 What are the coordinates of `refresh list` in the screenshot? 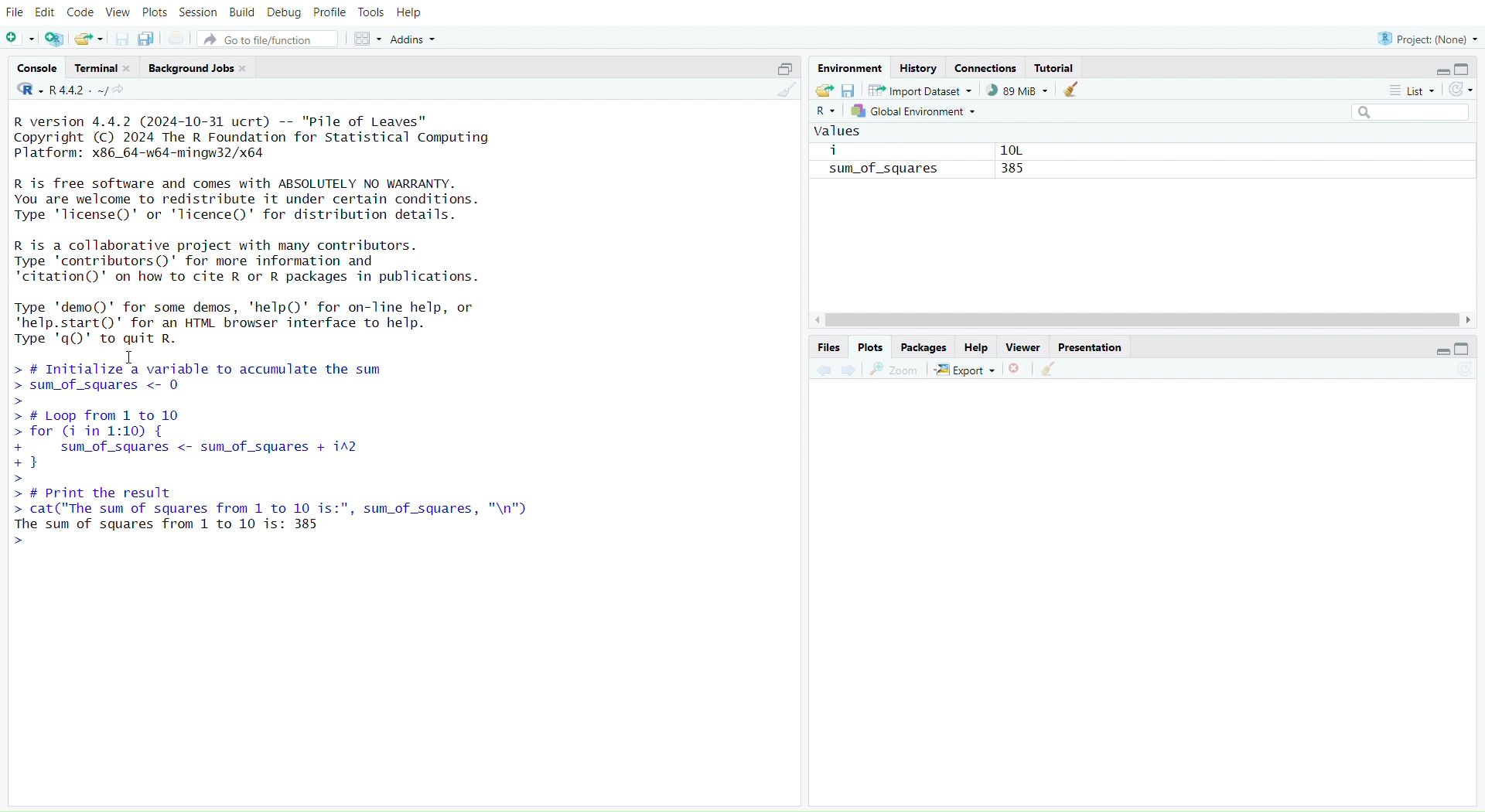 It's located at (1460, 88).